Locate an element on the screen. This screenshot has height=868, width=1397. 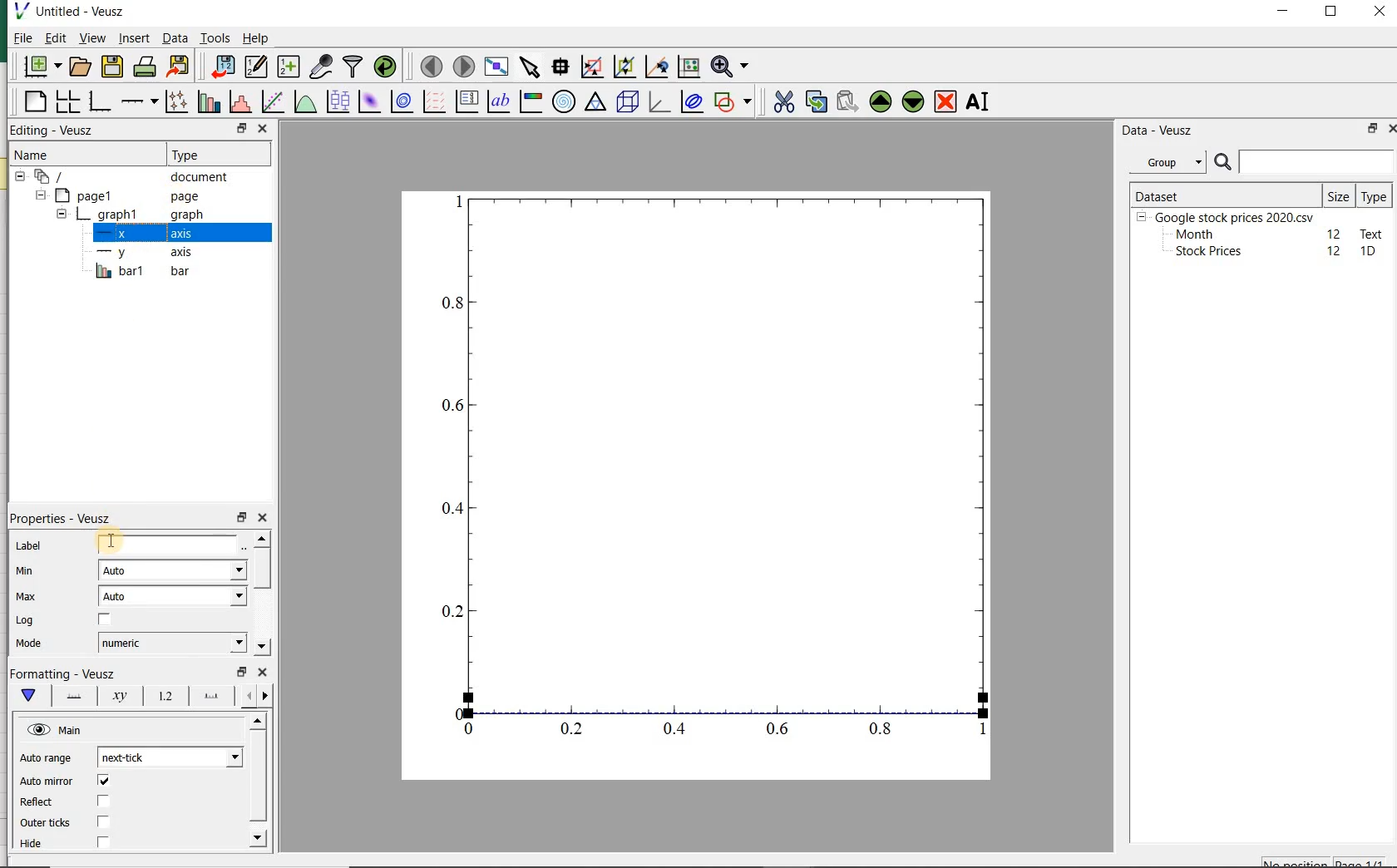
page1 is located at coordinates (121, 196).